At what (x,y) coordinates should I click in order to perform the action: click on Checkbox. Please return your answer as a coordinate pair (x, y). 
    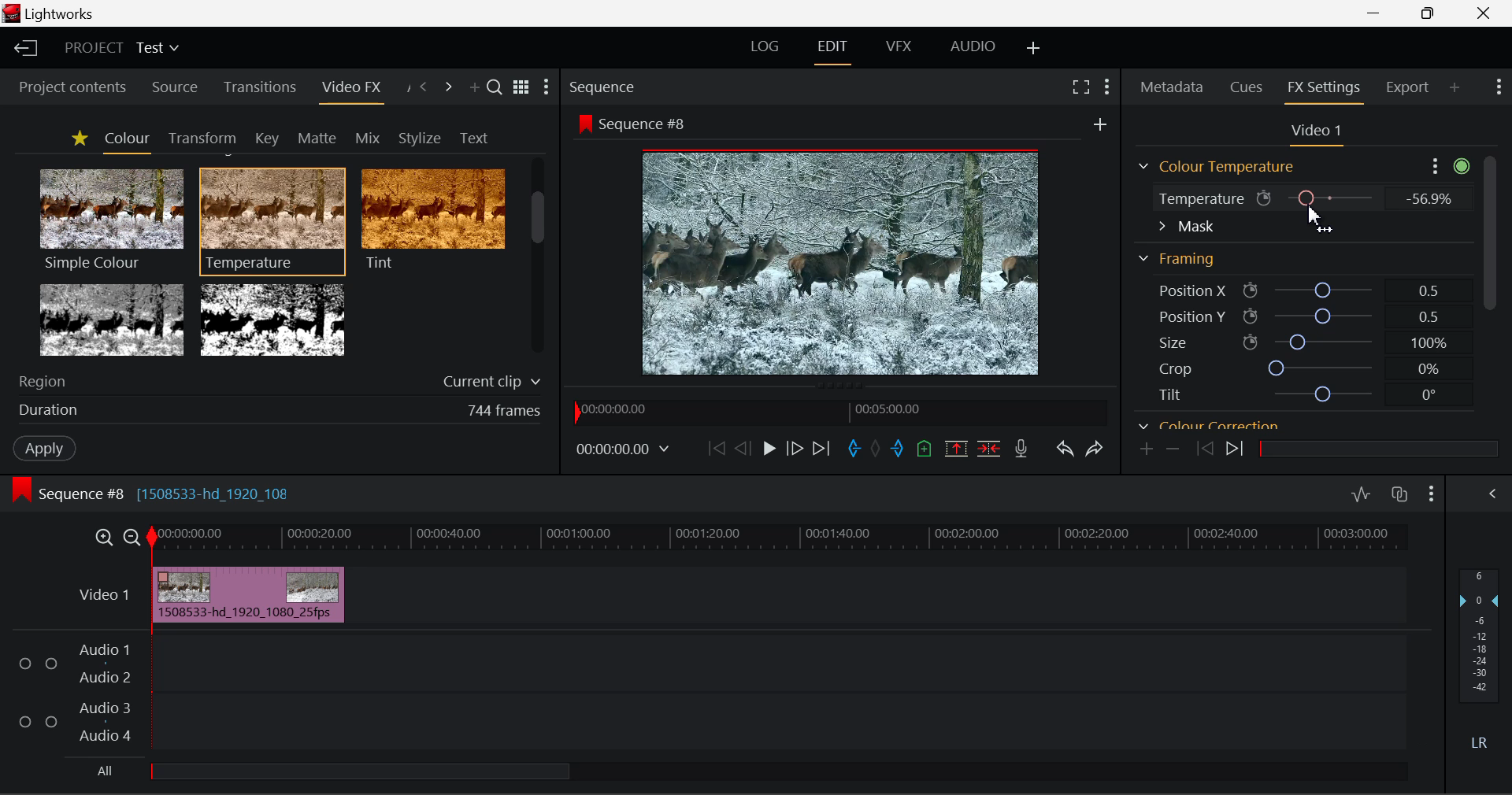
    Looking at the image, I should click on (50, 720).